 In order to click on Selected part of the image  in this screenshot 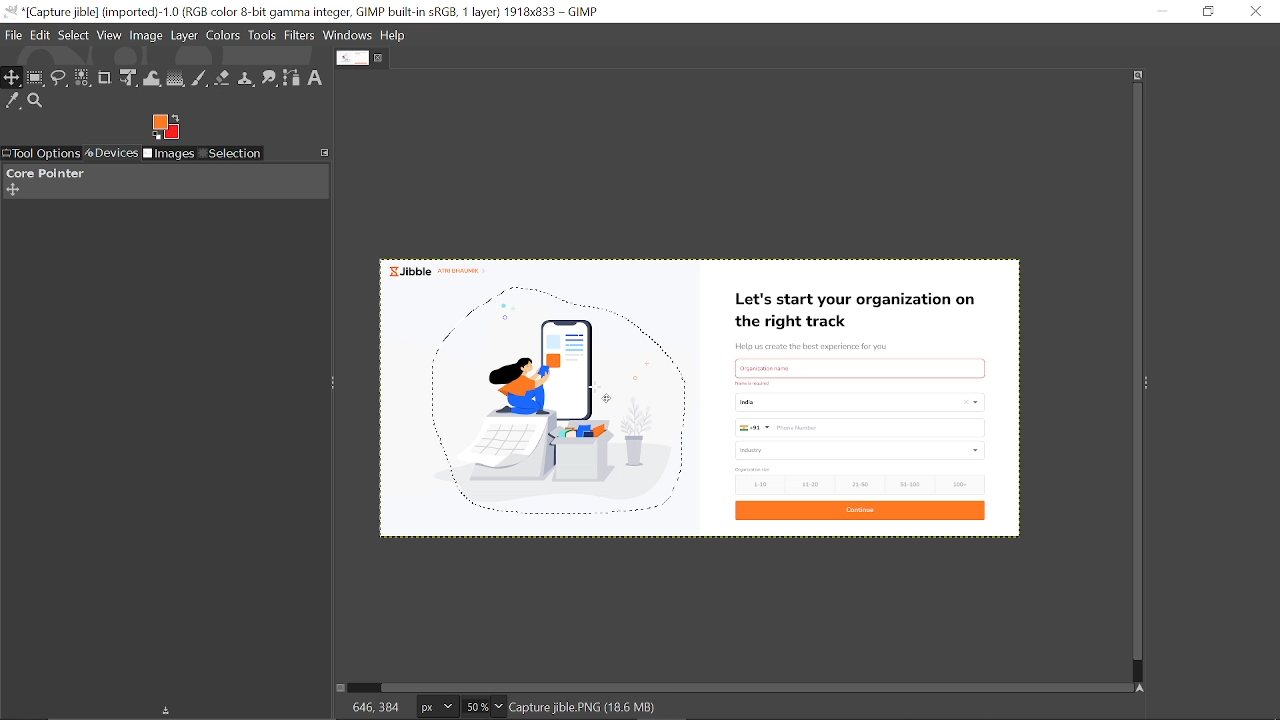, I will do `click(562, 408)`.